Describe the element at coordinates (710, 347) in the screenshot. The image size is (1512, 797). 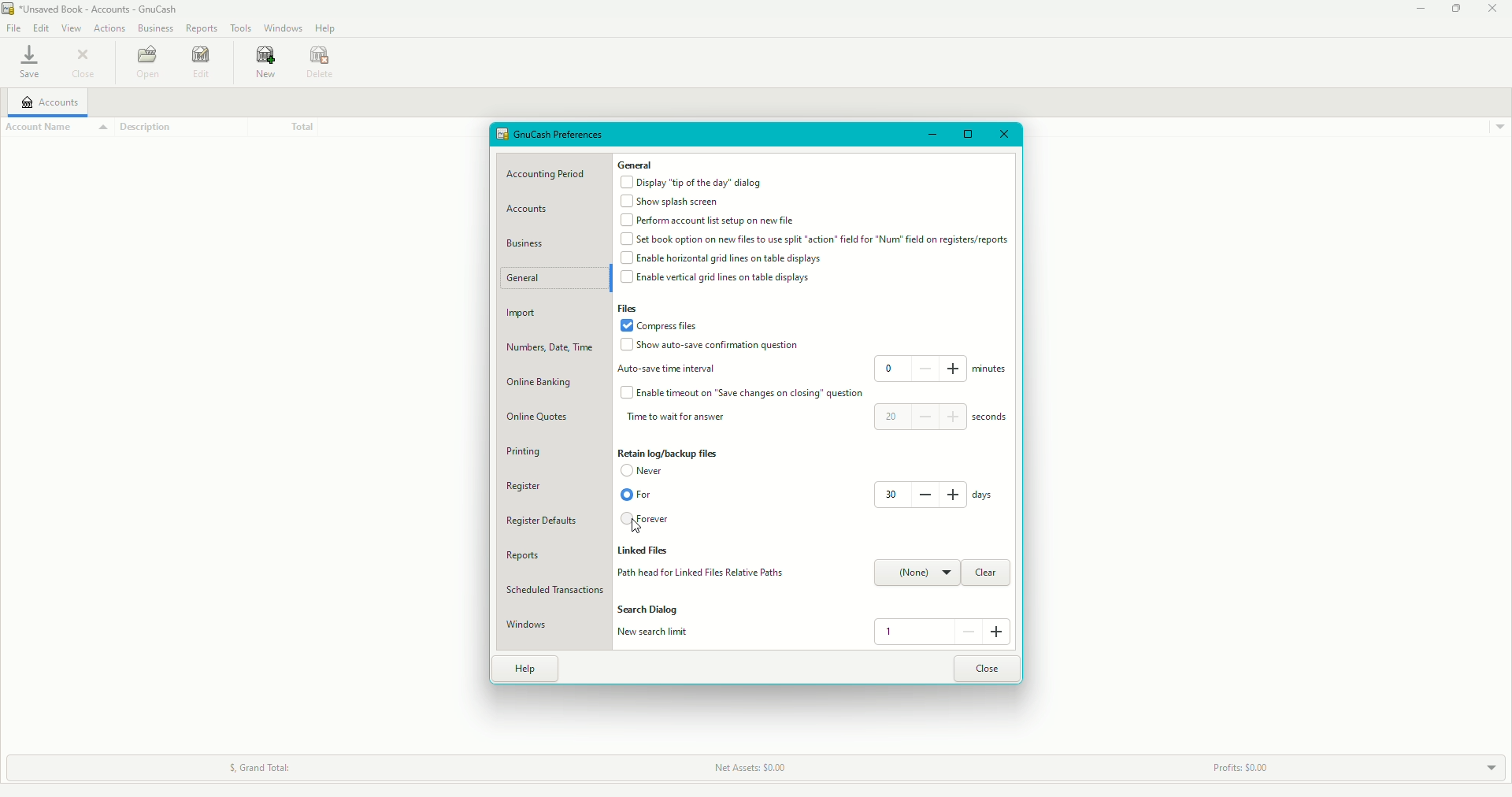
I see `Show auto-save` at that location.